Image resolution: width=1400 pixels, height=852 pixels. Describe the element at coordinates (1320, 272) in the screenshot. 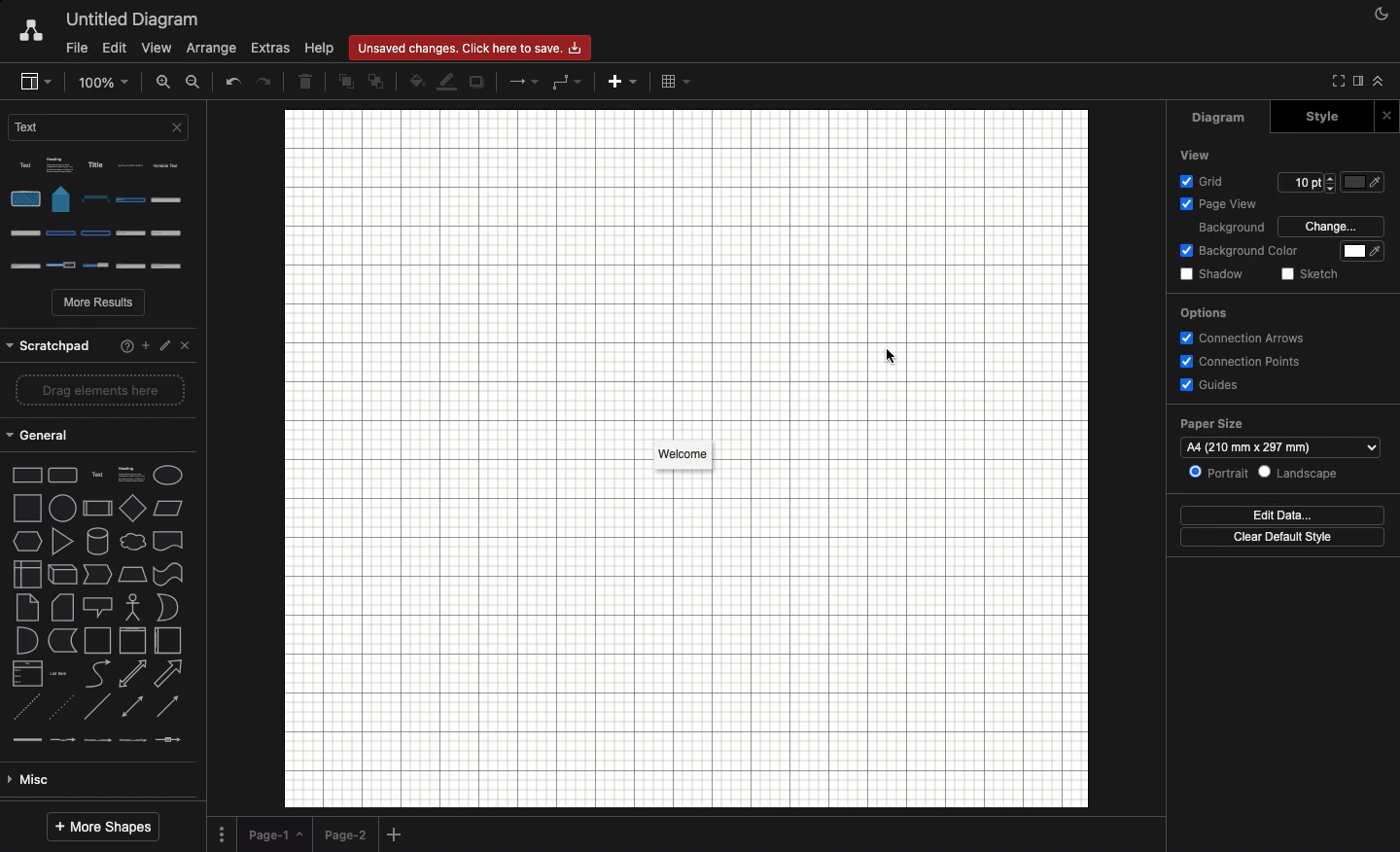

I see `sketch` at that location.